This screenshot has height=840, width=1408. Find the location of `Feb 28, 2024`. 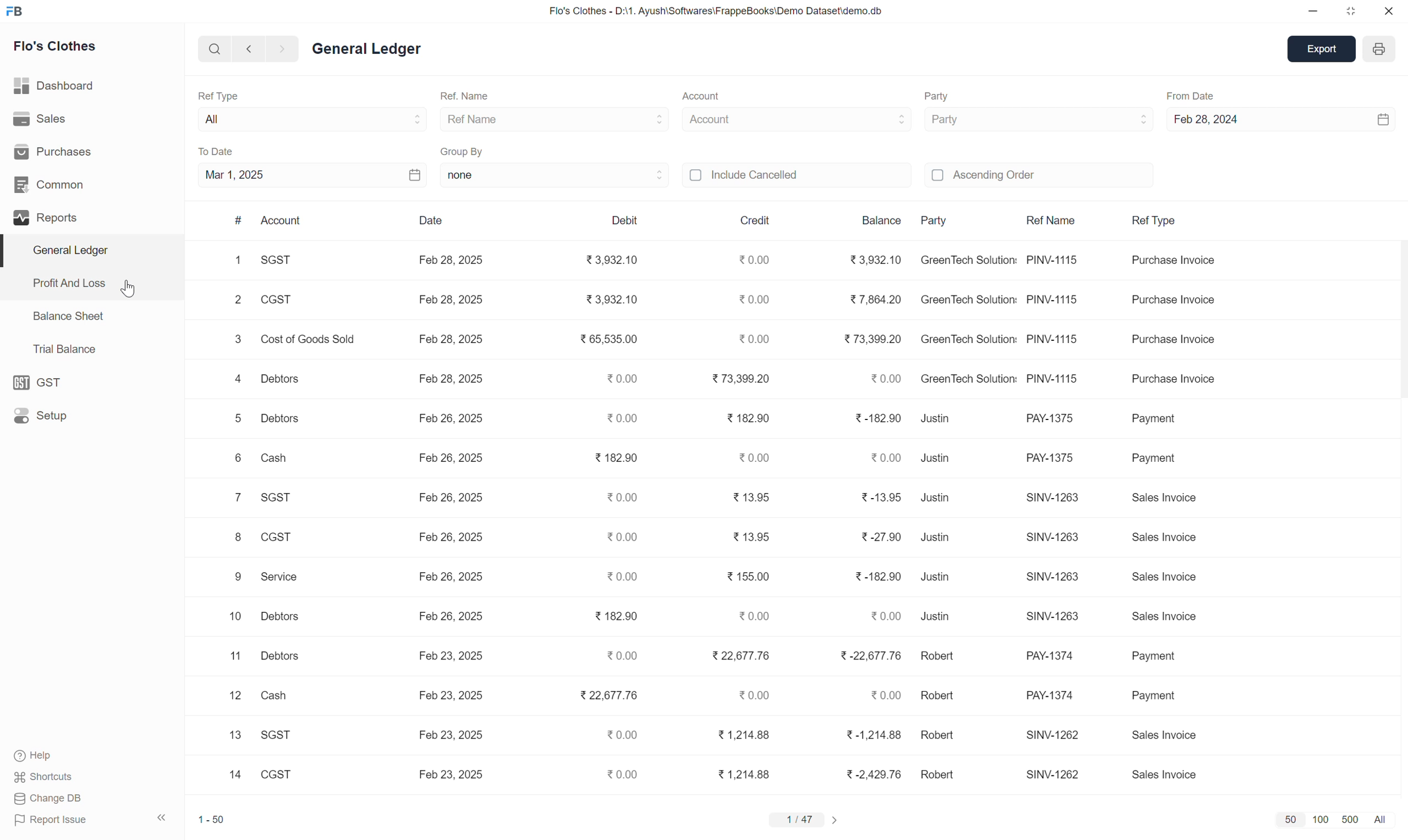

Feb 28, 2024 is located at coordinates (1229, 121).